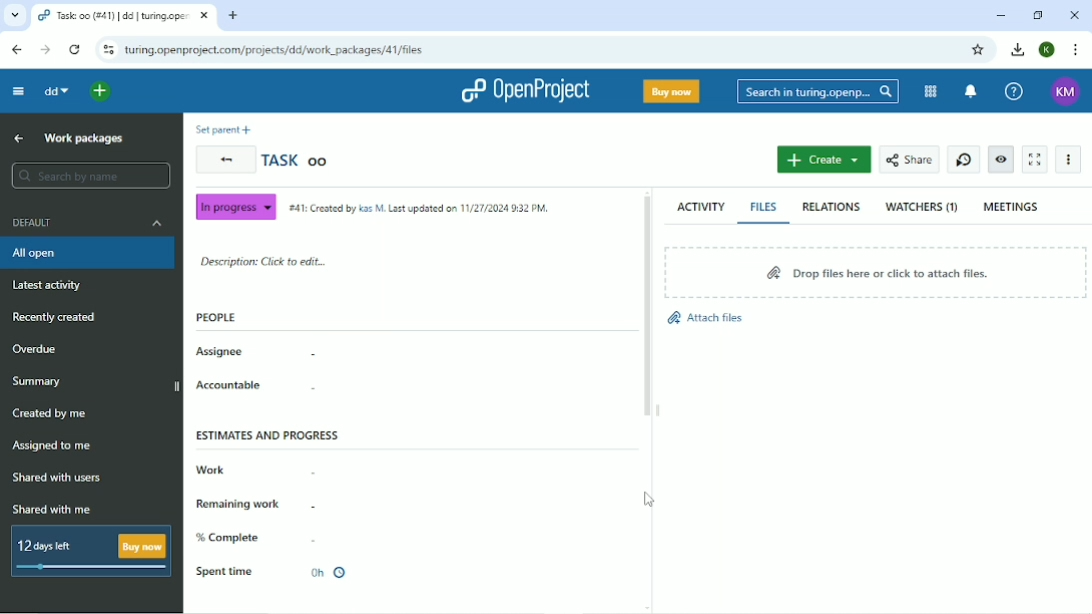  I want to click on Vertical scrollbar, so click(647, 310).